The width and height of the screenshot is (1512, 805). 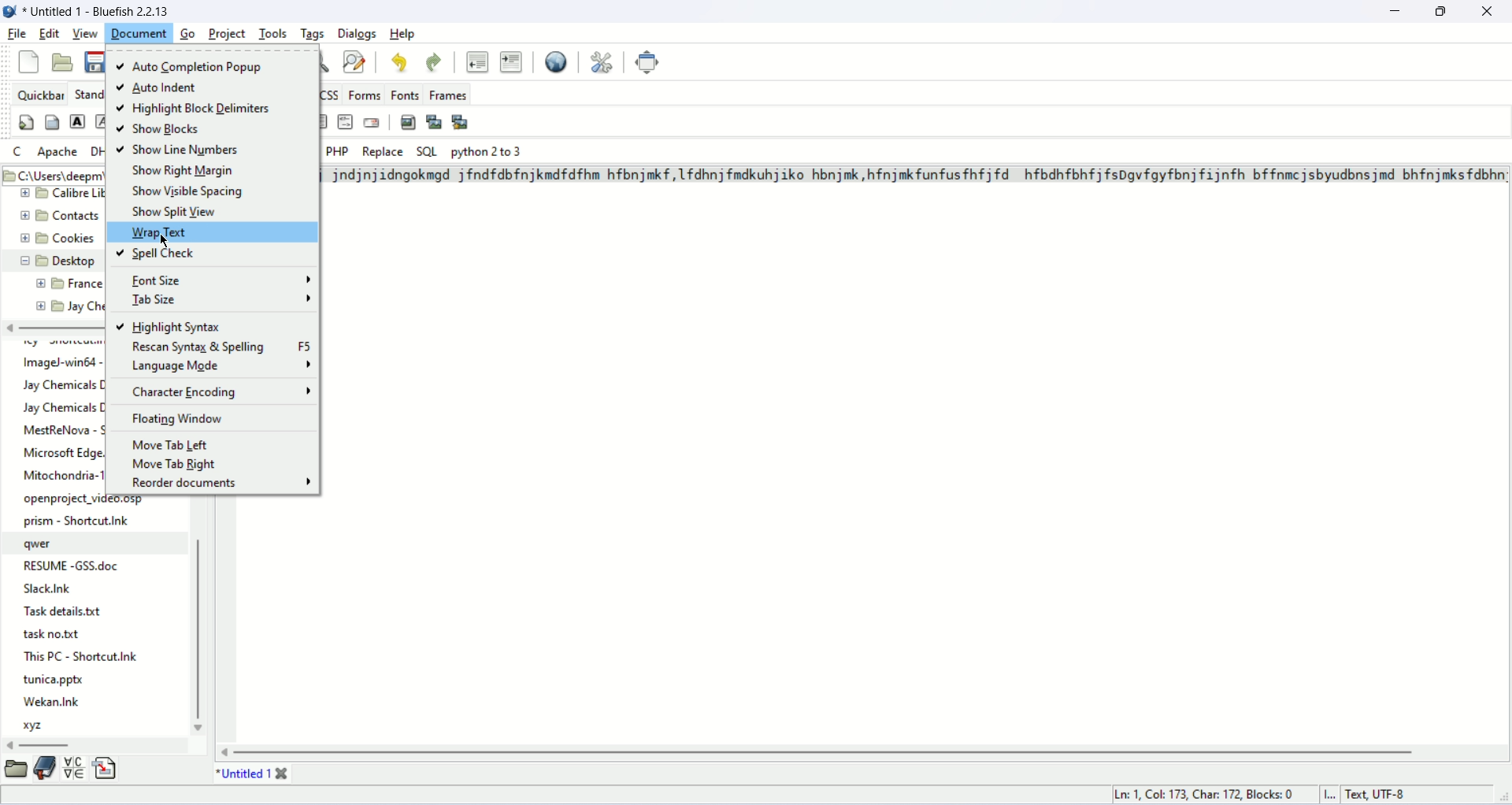 I want to click on view, so click(x=86, y=33).